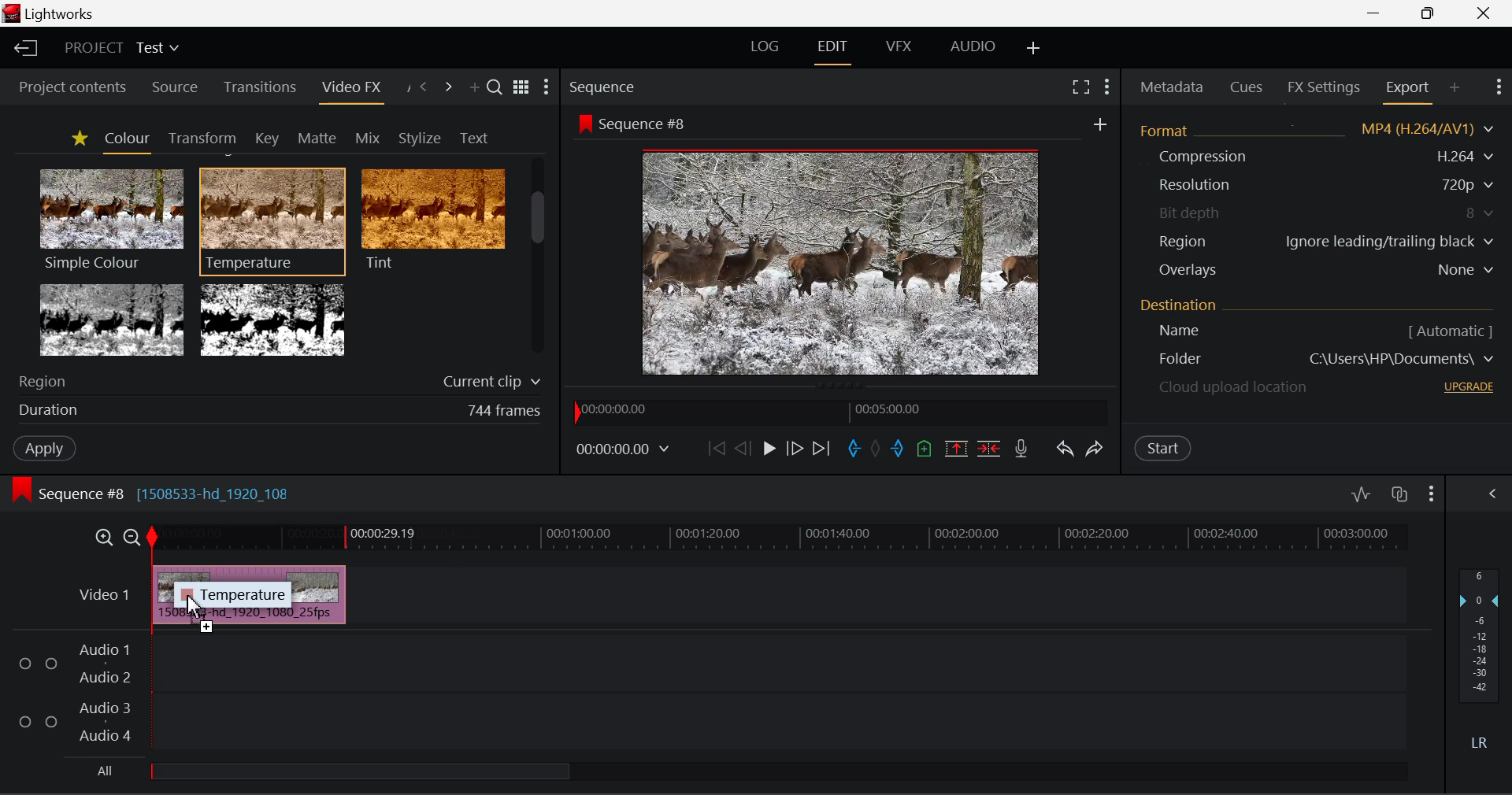  Describe the element at coordinates (1468, 156) in the screenshot. I see `H.264 ` at that location.